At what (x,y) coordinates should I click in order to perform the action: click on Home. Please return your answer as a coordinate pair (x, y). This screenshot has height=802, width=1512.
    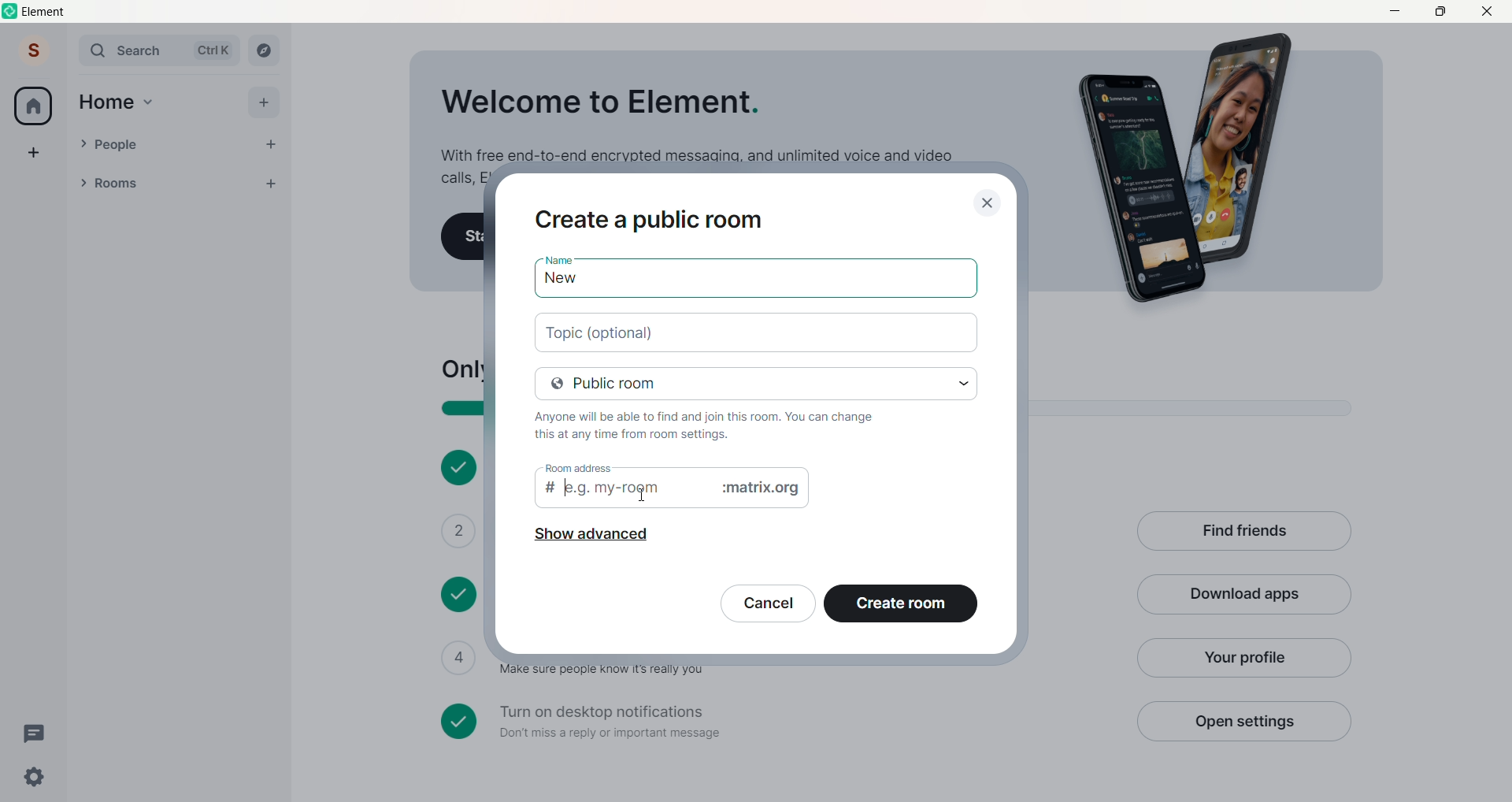
    Looking at the image, I should click on (106, 102).